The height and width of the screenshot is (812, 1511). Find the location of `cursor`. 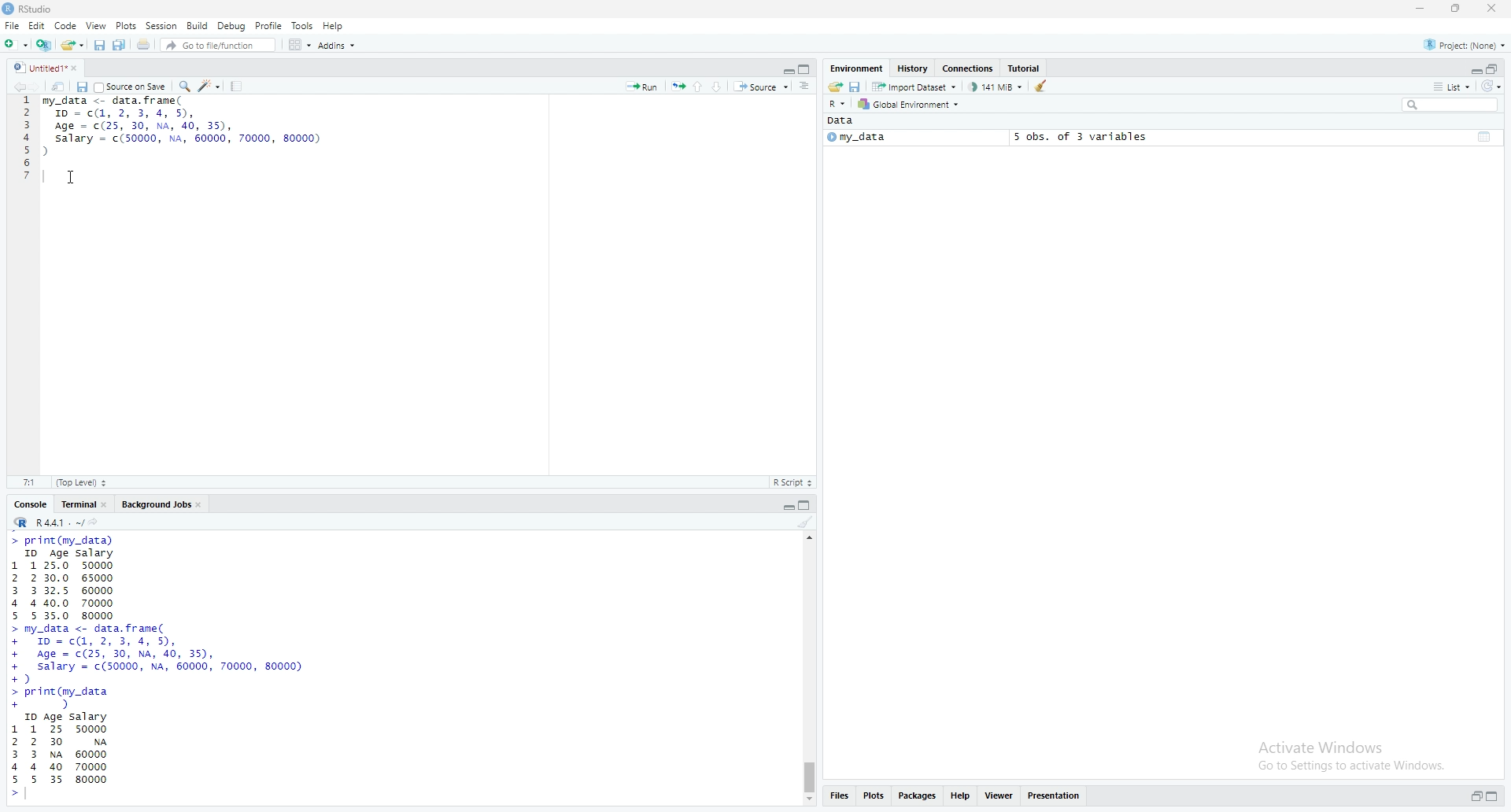

cursor is located at coordinates (72, 178).